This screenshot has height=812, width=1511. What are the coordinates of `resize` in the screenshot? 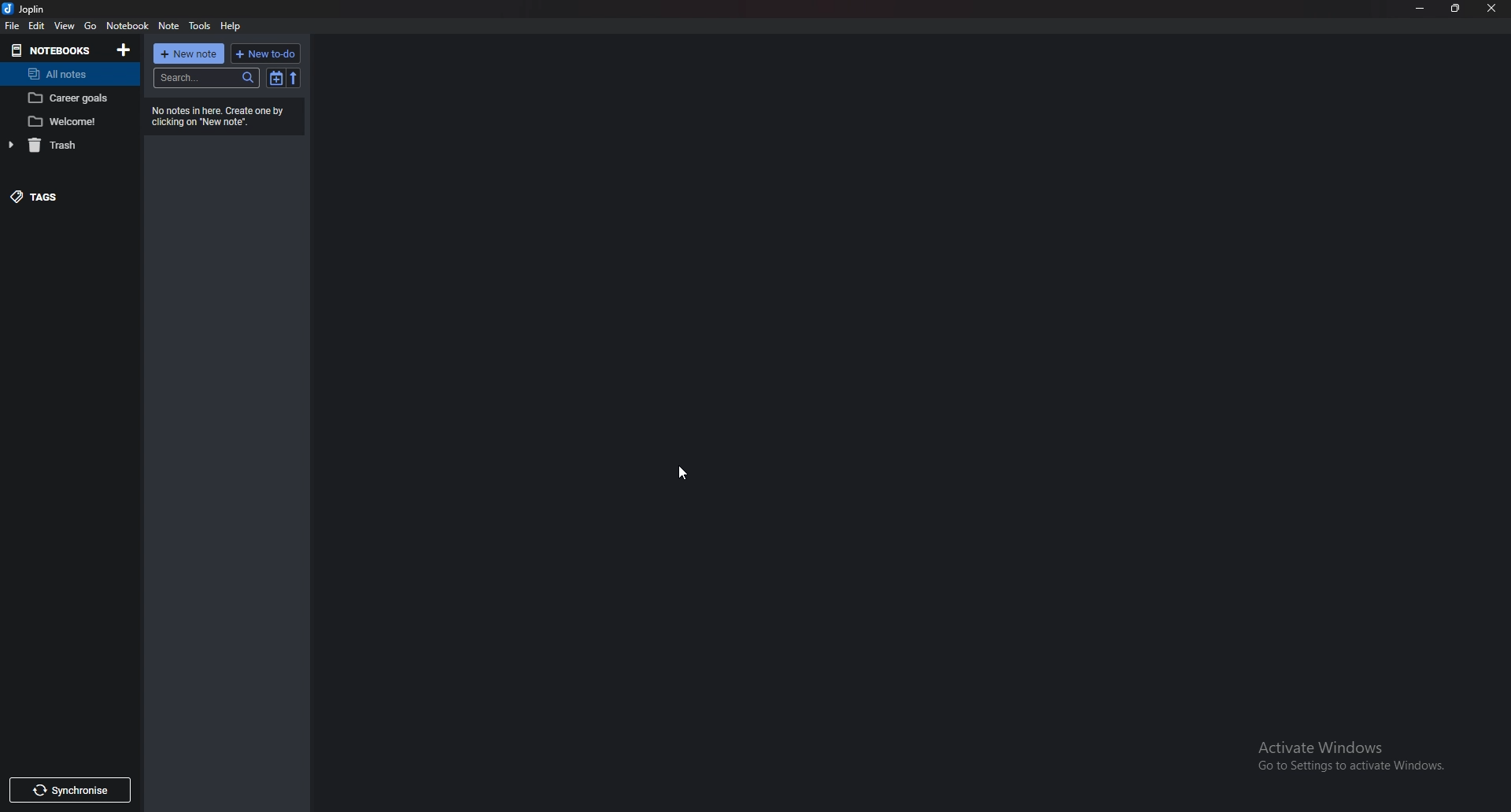 It's located at (1452, 8).